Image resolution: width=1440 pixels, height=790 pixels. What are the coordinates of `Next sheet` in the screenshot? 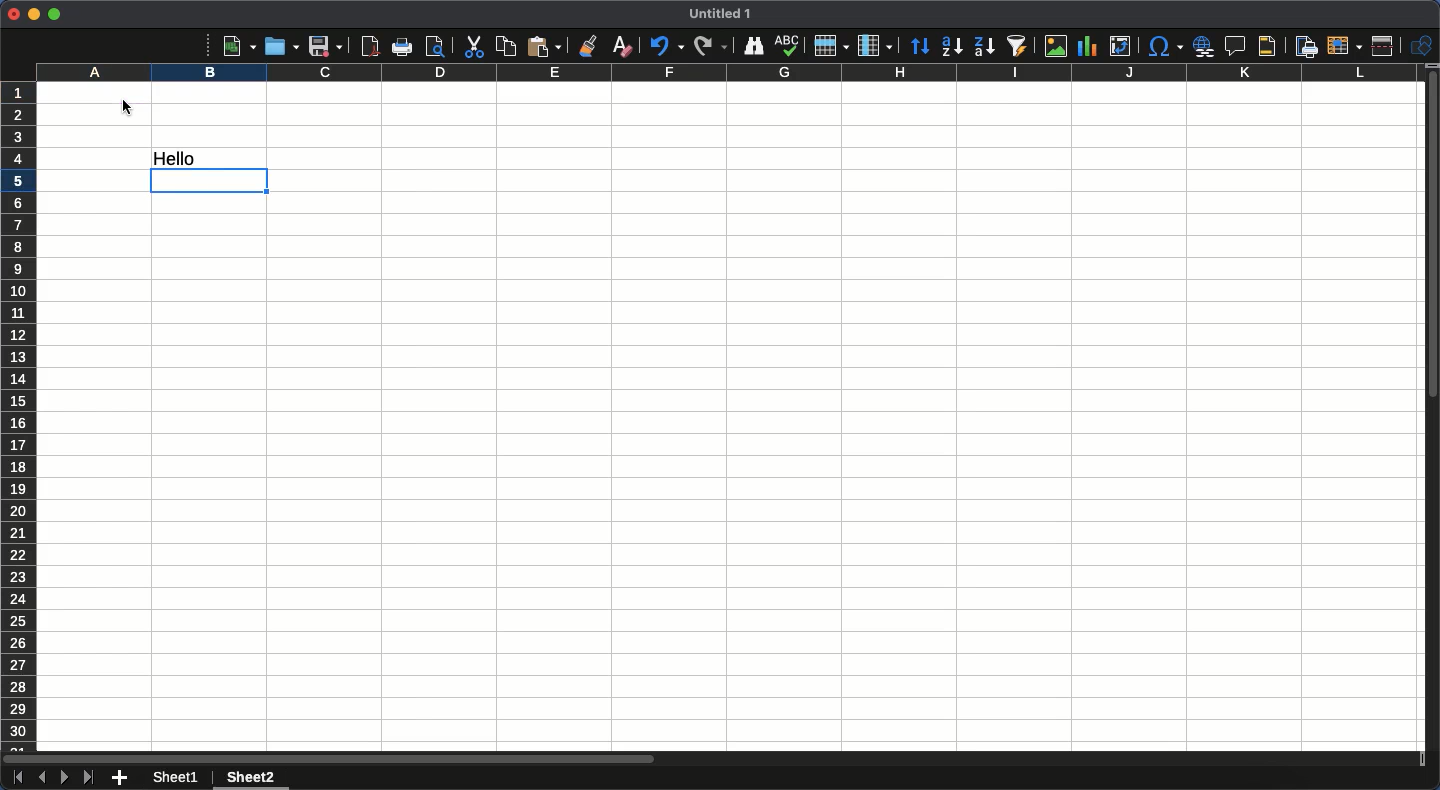 It's located at (65, 778).